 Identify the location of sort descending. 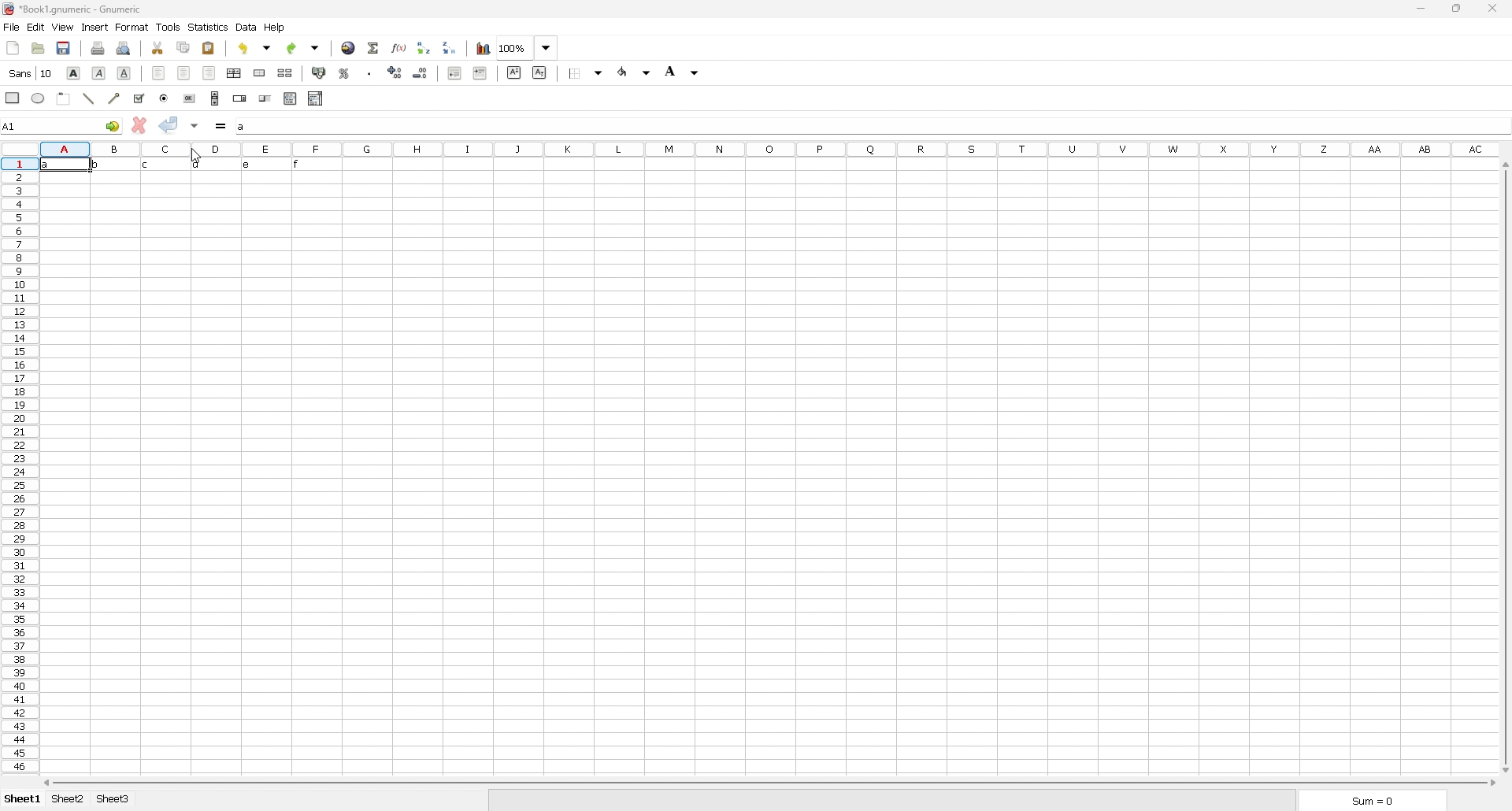
(450, 47).